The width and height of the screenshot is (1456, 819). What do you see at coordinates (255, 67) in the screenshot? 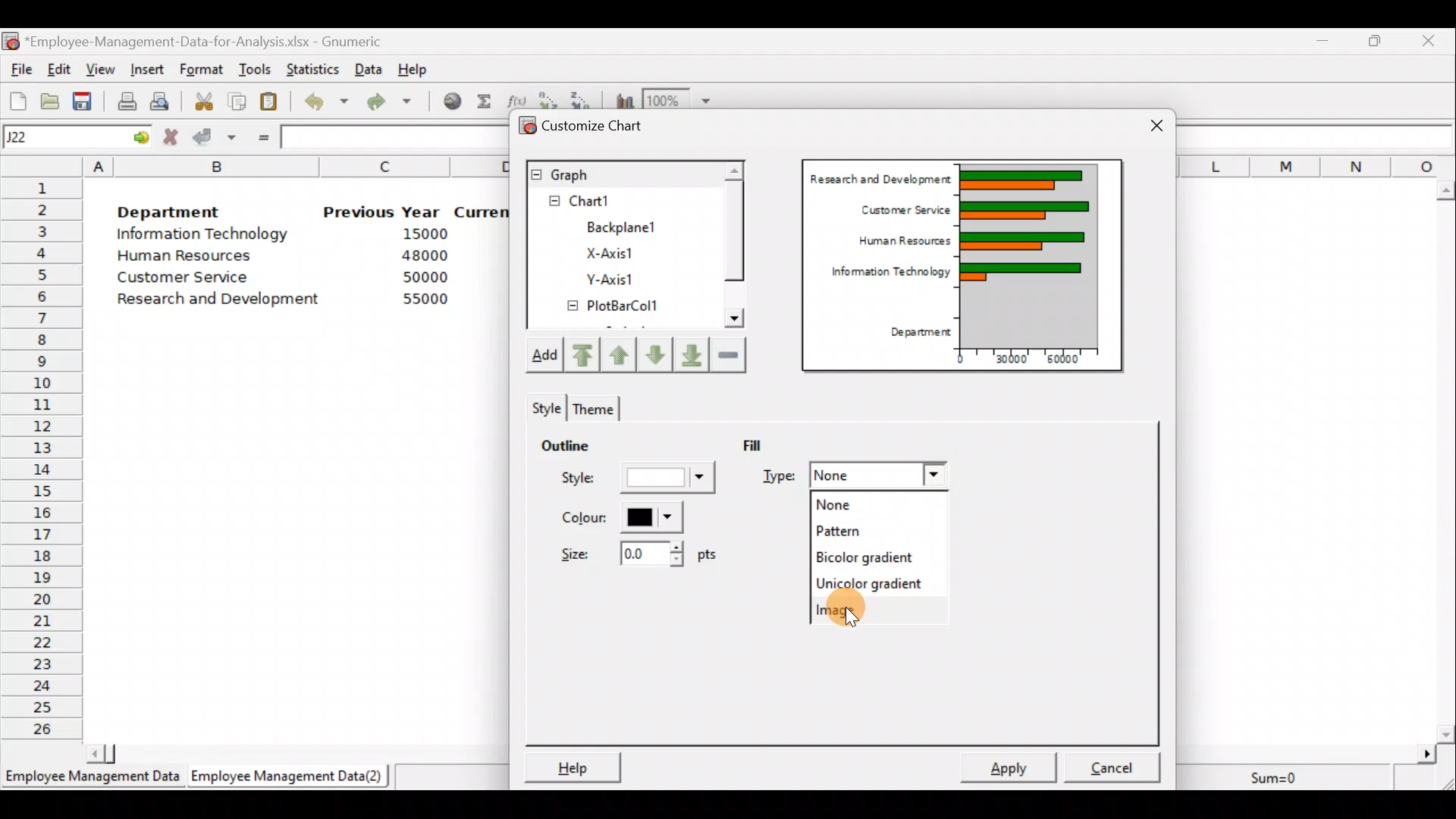
I see `Tools` at bounding box center [255, 67].